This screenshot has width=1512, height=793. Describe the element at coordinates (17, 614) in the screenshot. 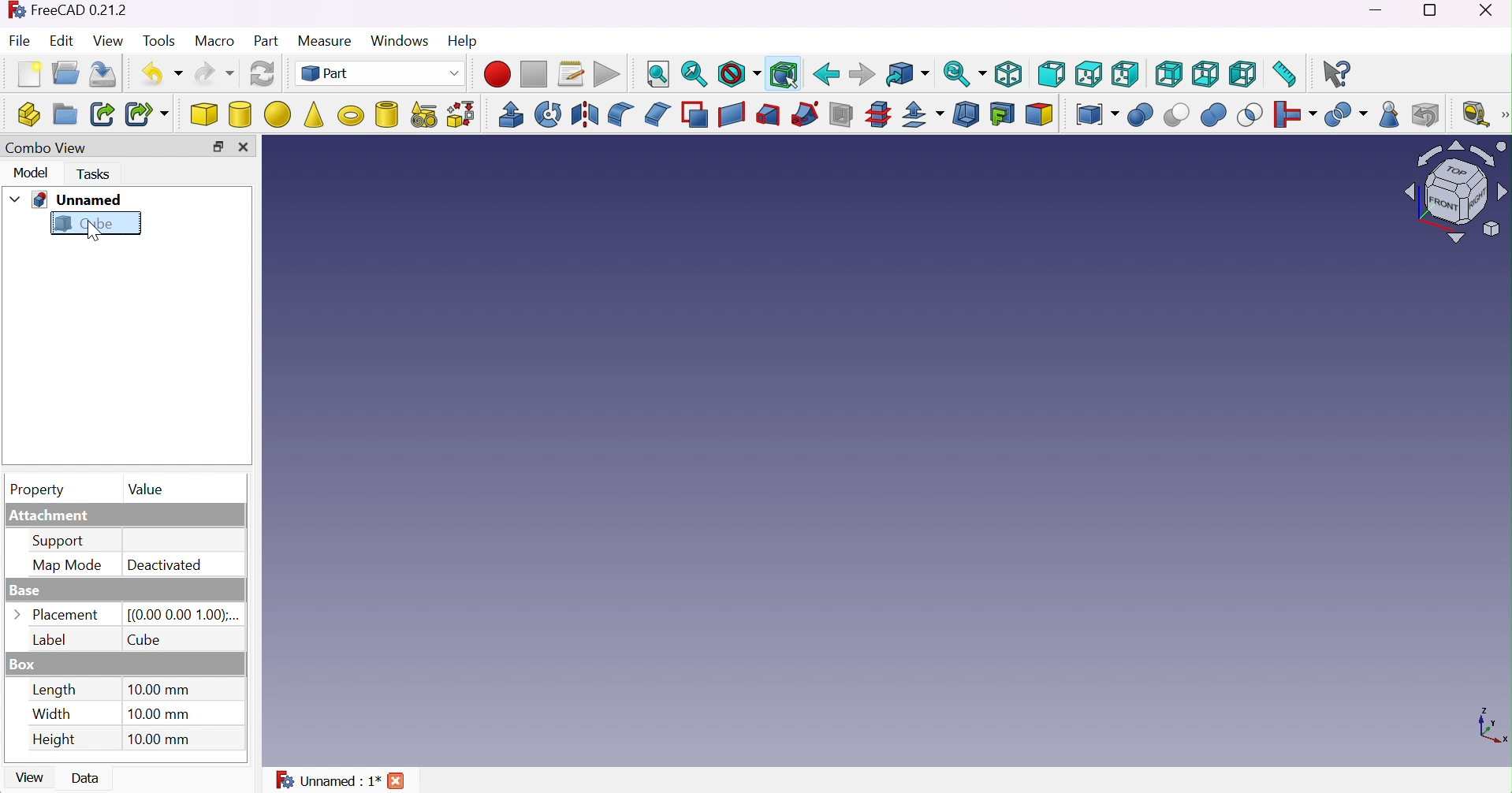

I see `Options` at that location.